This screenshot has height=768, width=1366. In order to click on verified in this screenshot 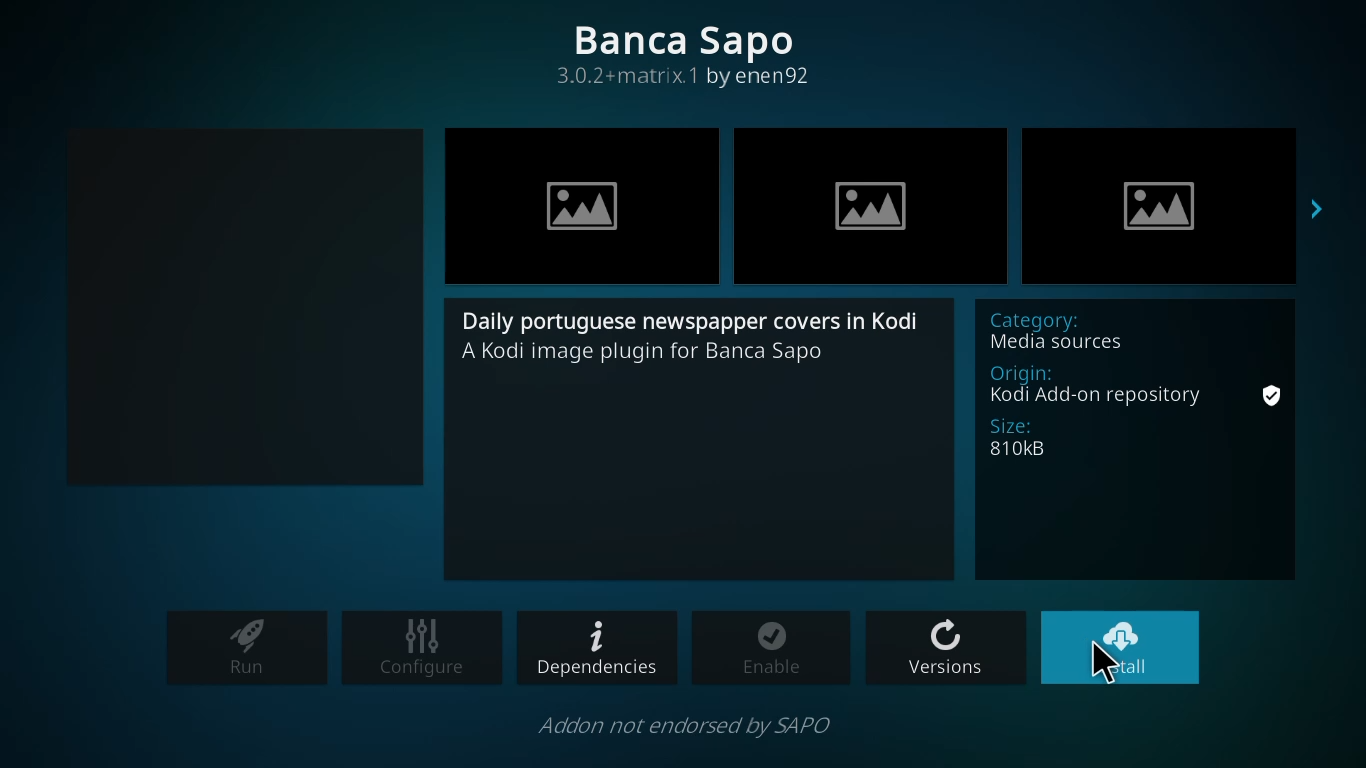, I will do `click(1273, 397)`.